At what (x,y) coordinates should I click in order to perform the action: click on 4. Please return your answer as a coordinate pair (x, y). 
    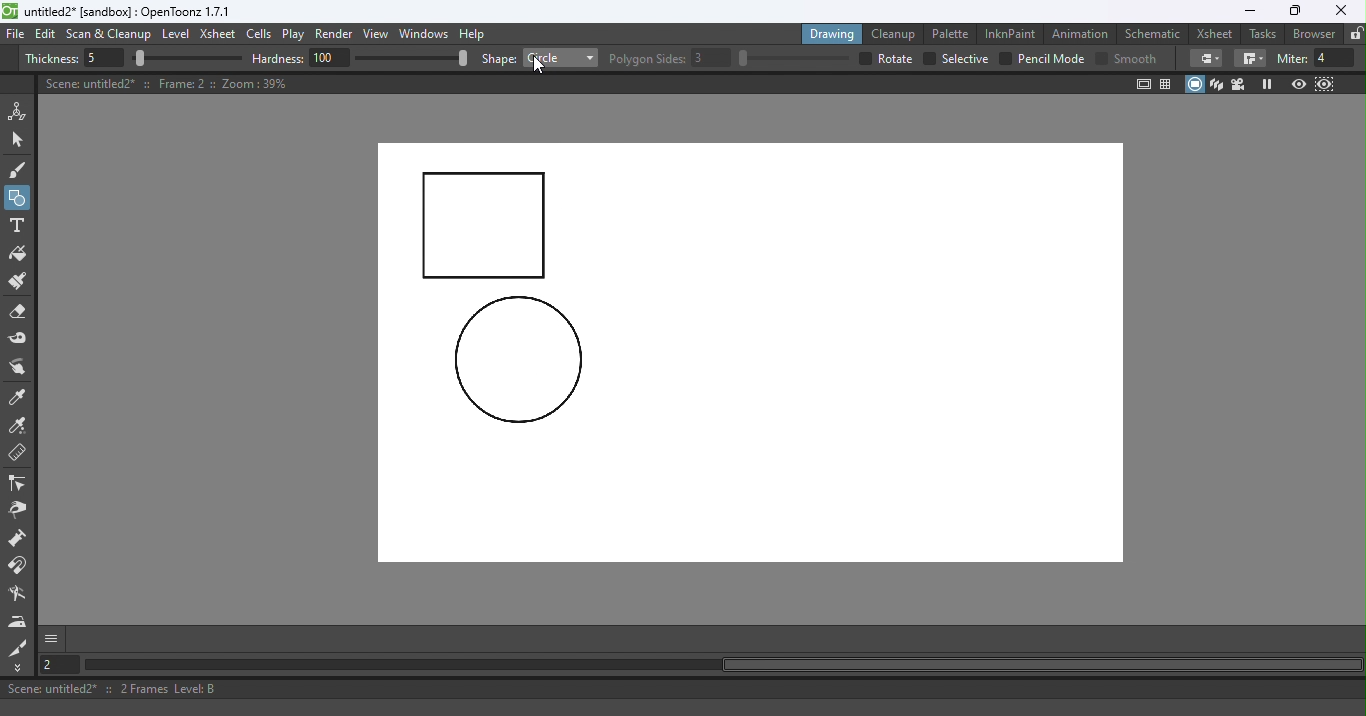
    Looking at the image, I should click on (1335, 58).